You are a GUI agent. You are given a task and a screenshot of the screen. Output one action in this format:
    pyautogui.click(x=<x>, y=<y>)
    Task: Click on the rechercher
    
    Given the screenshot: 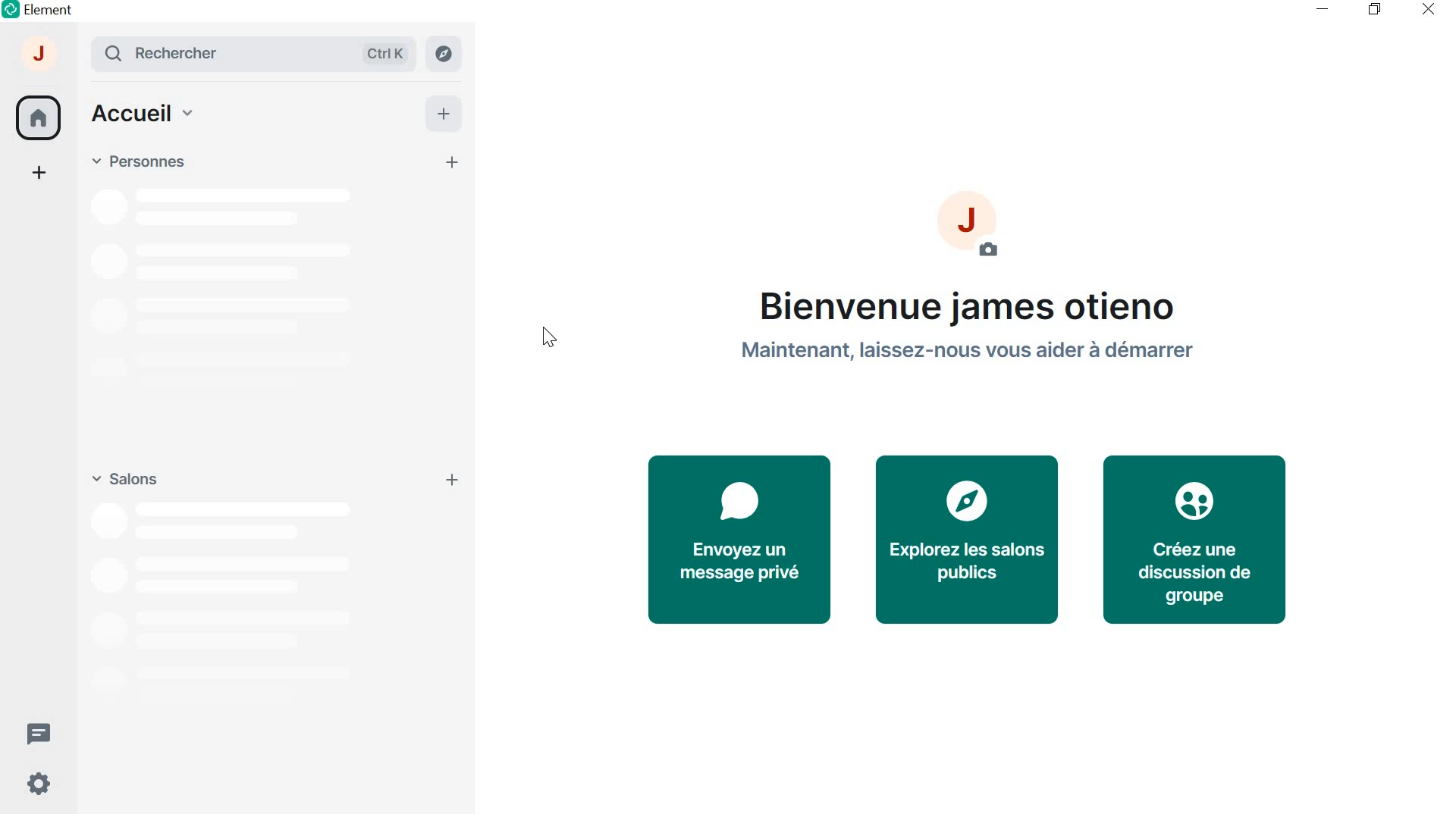 What is the action you would take?
    pyautogui.click(x=259, y=54)
    